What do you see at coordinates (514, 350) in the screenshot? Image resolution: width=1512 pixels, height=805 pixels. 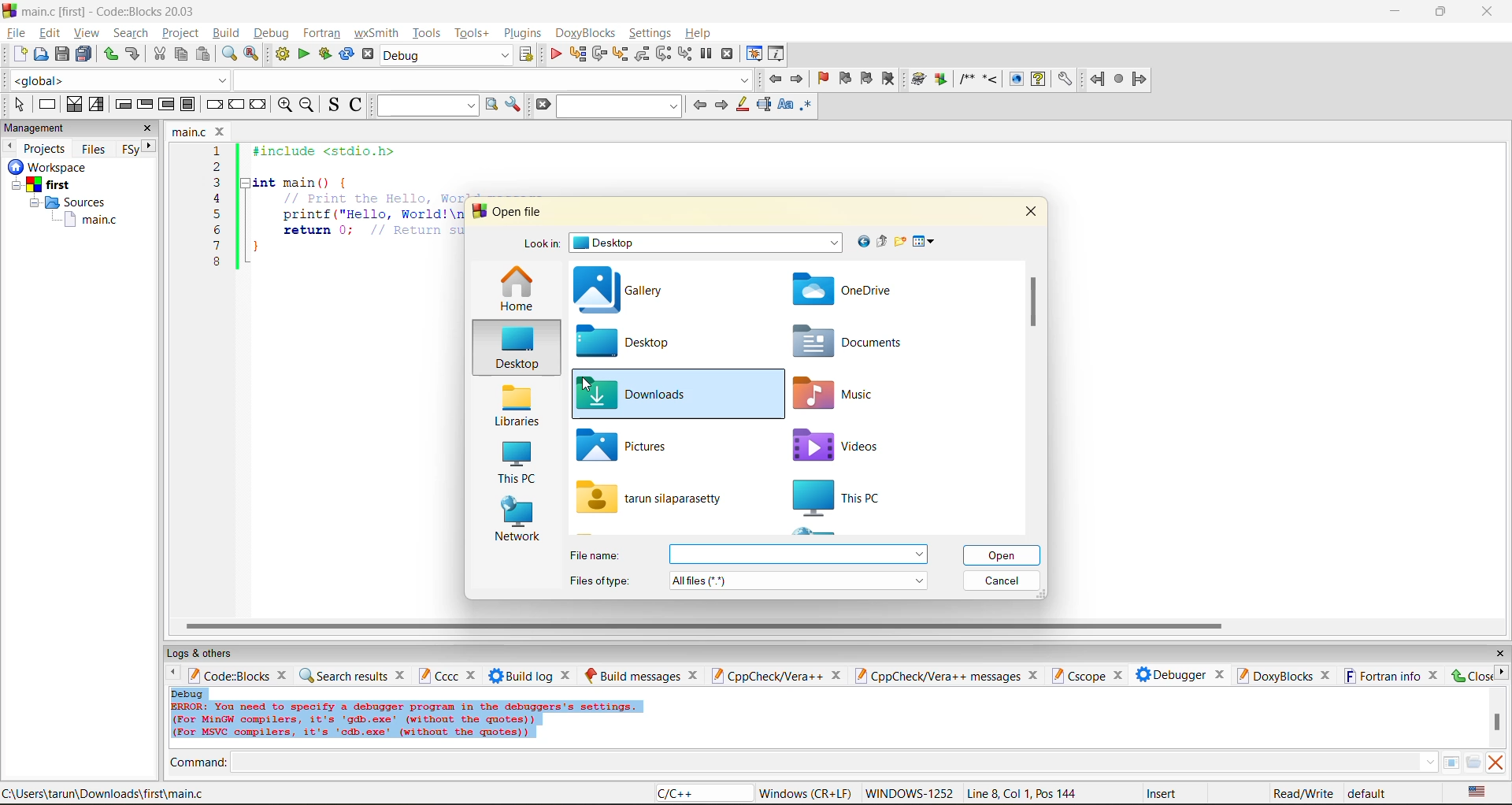 I see `desktop` at bounding box center [514, 350].